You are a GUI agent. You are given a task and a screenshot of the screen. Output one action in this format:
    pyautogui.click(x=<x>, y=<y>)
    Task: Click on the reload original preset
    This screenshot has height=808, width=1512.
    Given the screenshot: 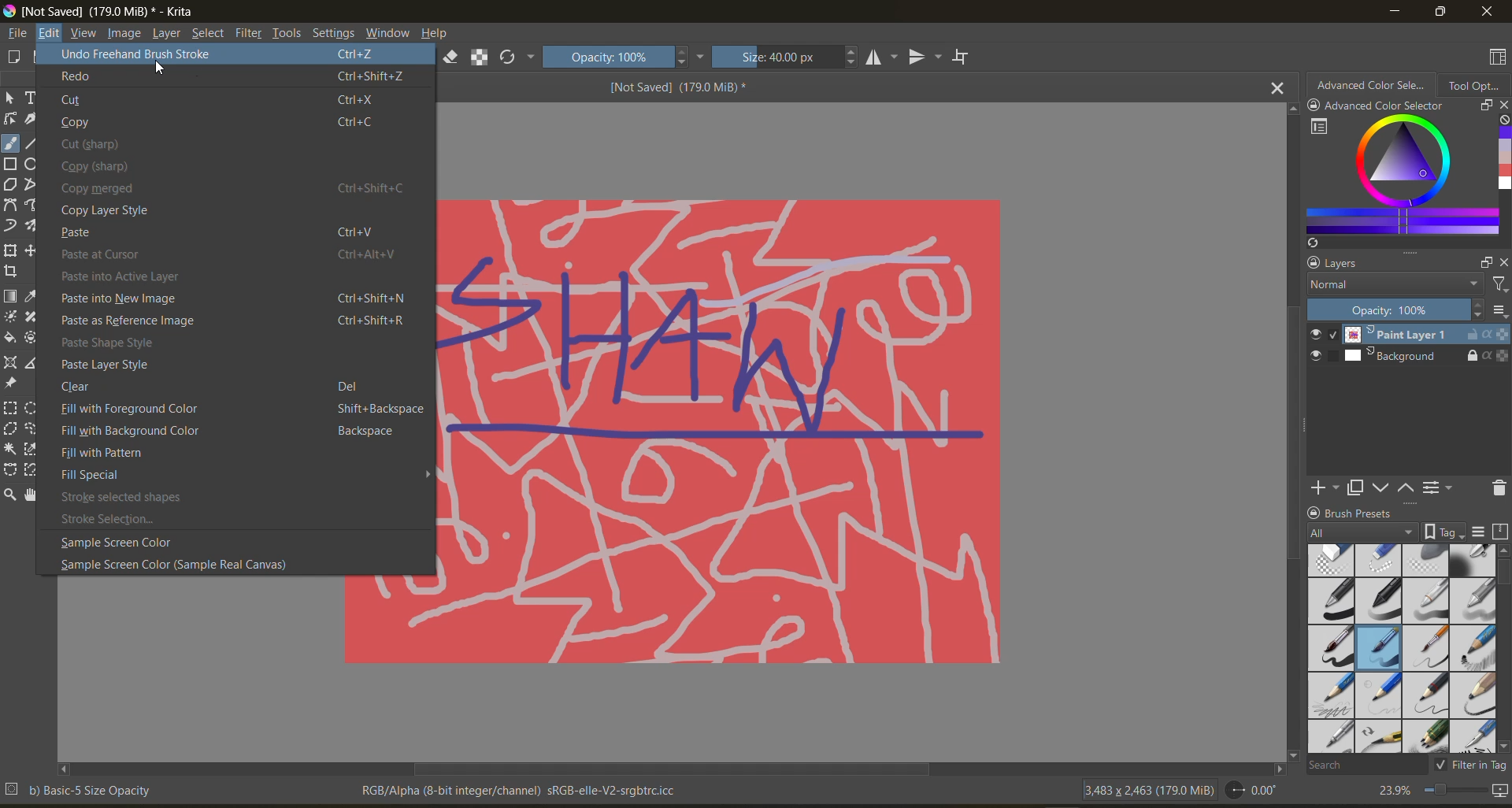 What is the action you would take?
    pyautogui.click(x=517, y=60)
    